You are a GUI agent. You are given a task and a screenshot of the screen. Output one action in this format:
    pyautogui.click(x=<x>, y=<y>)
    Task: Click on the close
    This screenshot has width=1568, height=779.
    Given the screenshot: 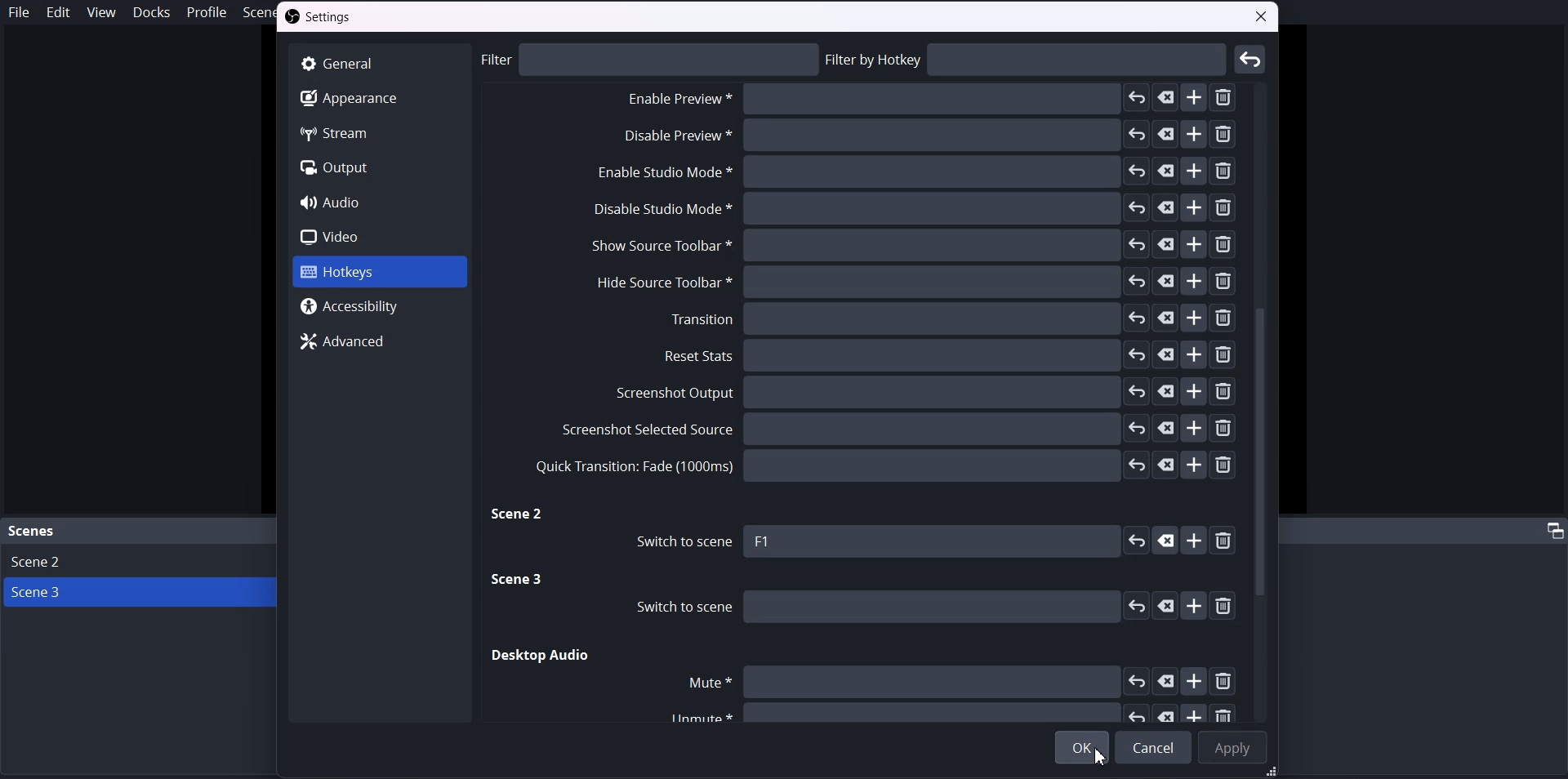 What is the action you would take?
    pyautogui.click(x=1263, y=19)
    